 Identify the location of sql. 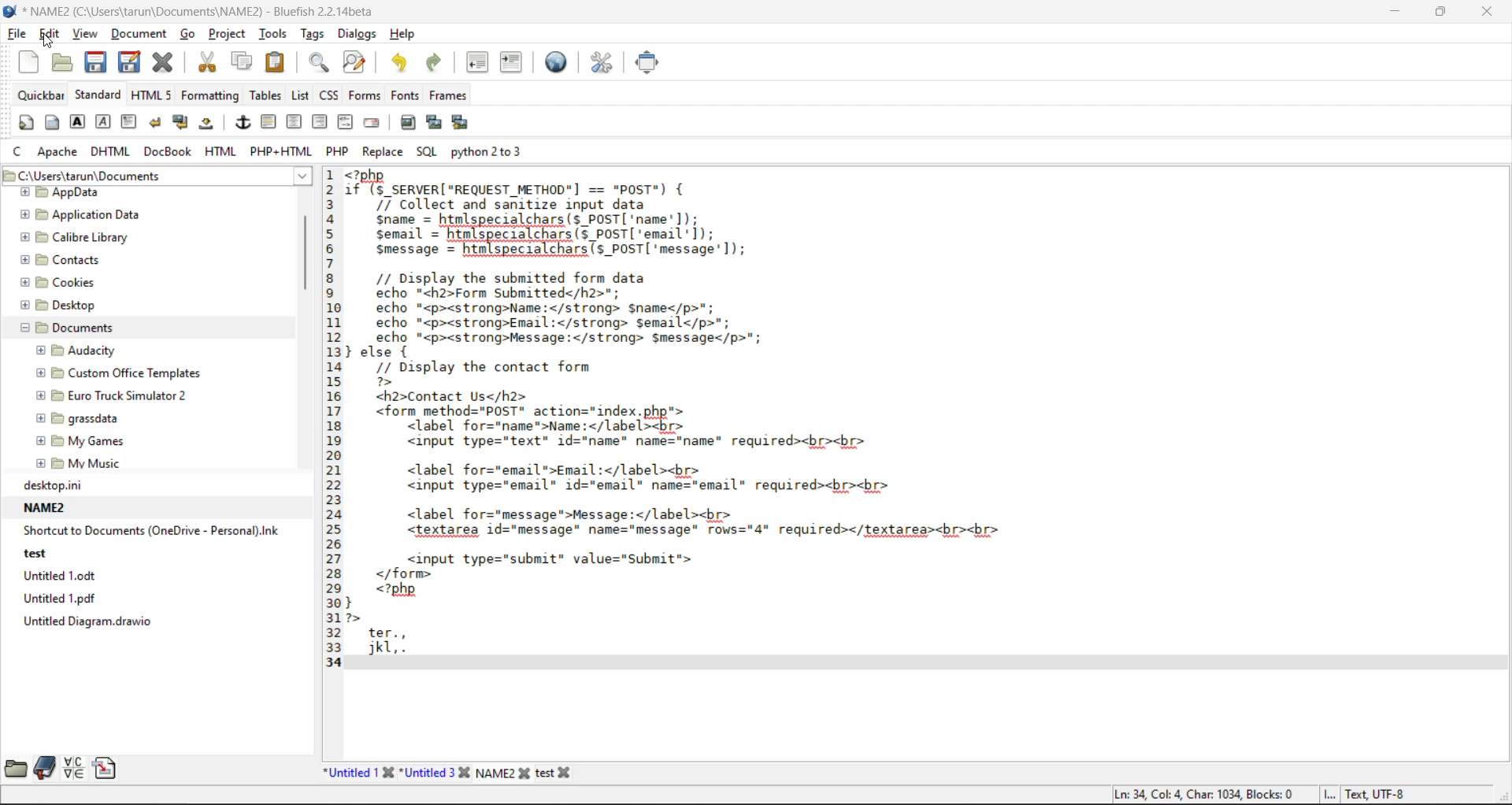
(428, 151).